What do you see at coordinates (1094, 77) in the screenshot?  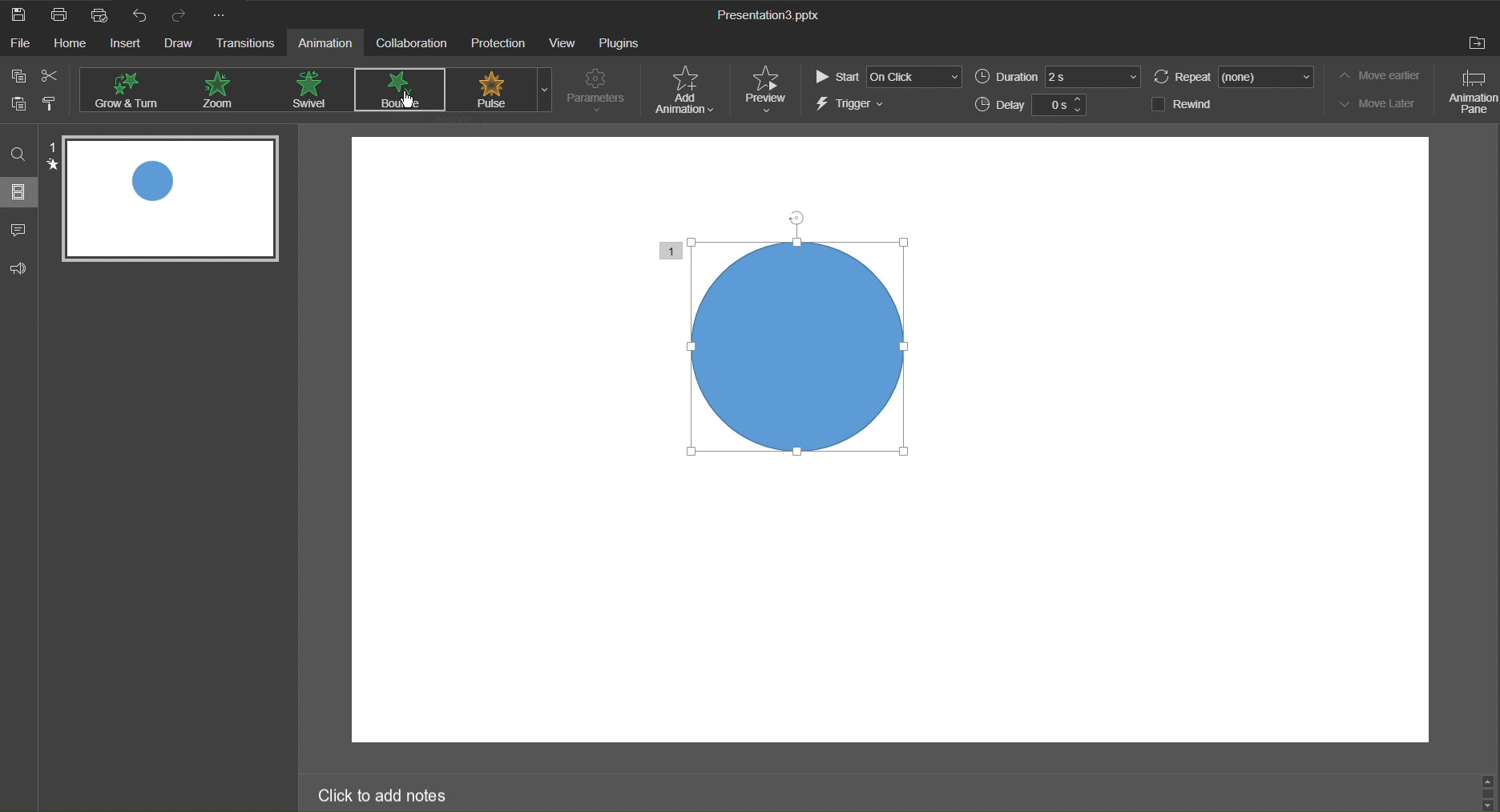 I see `2s` at bounding box center [1094, 77].